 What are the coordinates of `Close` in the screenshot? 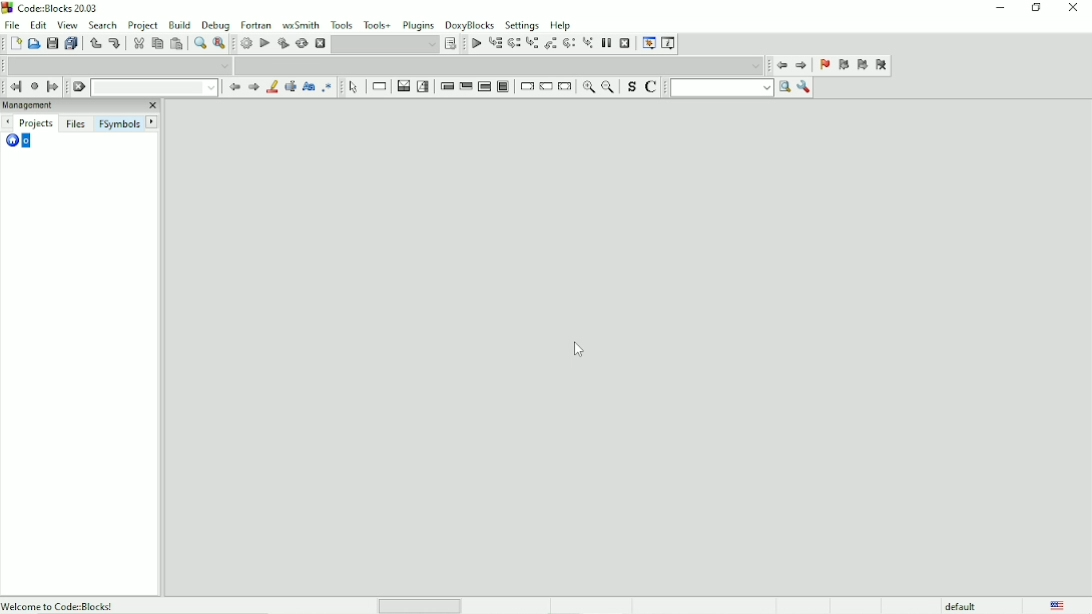 It's located at (1075, 8).